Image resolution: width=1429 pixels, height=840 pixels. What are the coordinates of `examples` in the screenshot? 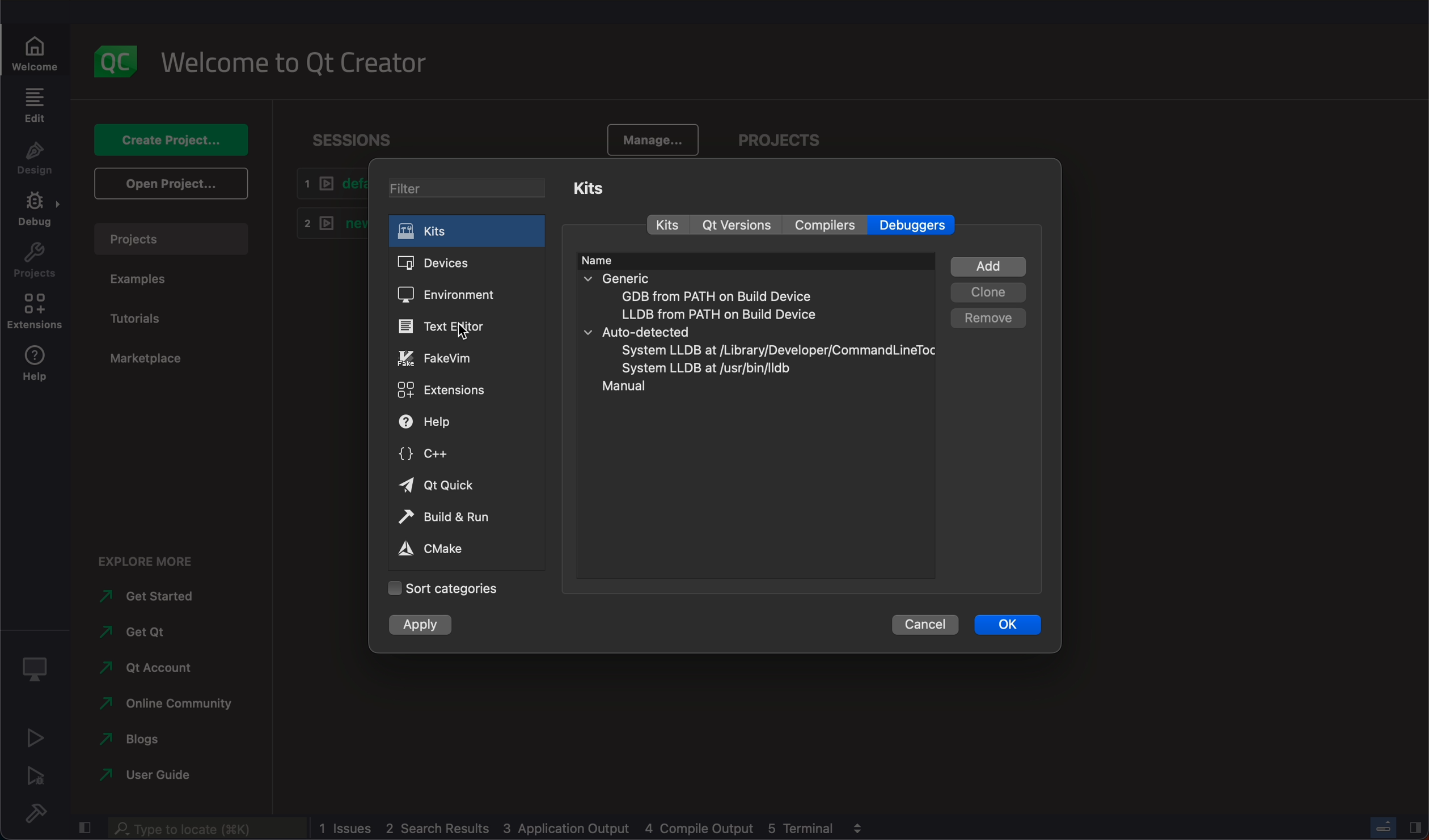 It's located at (145, 282).